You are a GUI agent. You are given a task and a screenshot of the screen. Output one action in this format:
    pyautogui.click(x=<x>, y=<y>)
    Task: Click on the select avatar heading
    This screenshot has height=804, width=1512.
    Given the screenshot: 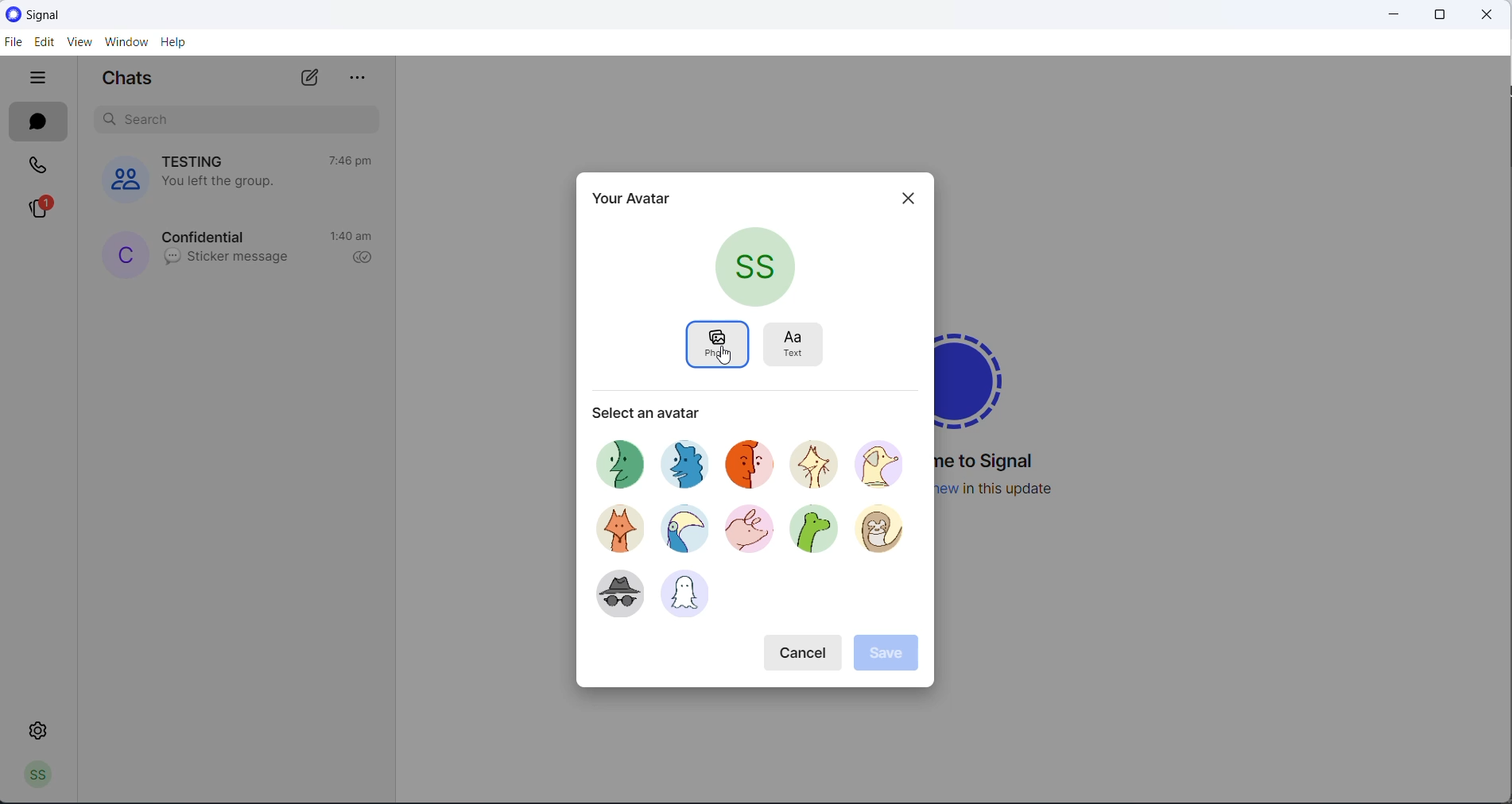 What is the action you would take?
    pyautogui.click(x=665, y=412)
    